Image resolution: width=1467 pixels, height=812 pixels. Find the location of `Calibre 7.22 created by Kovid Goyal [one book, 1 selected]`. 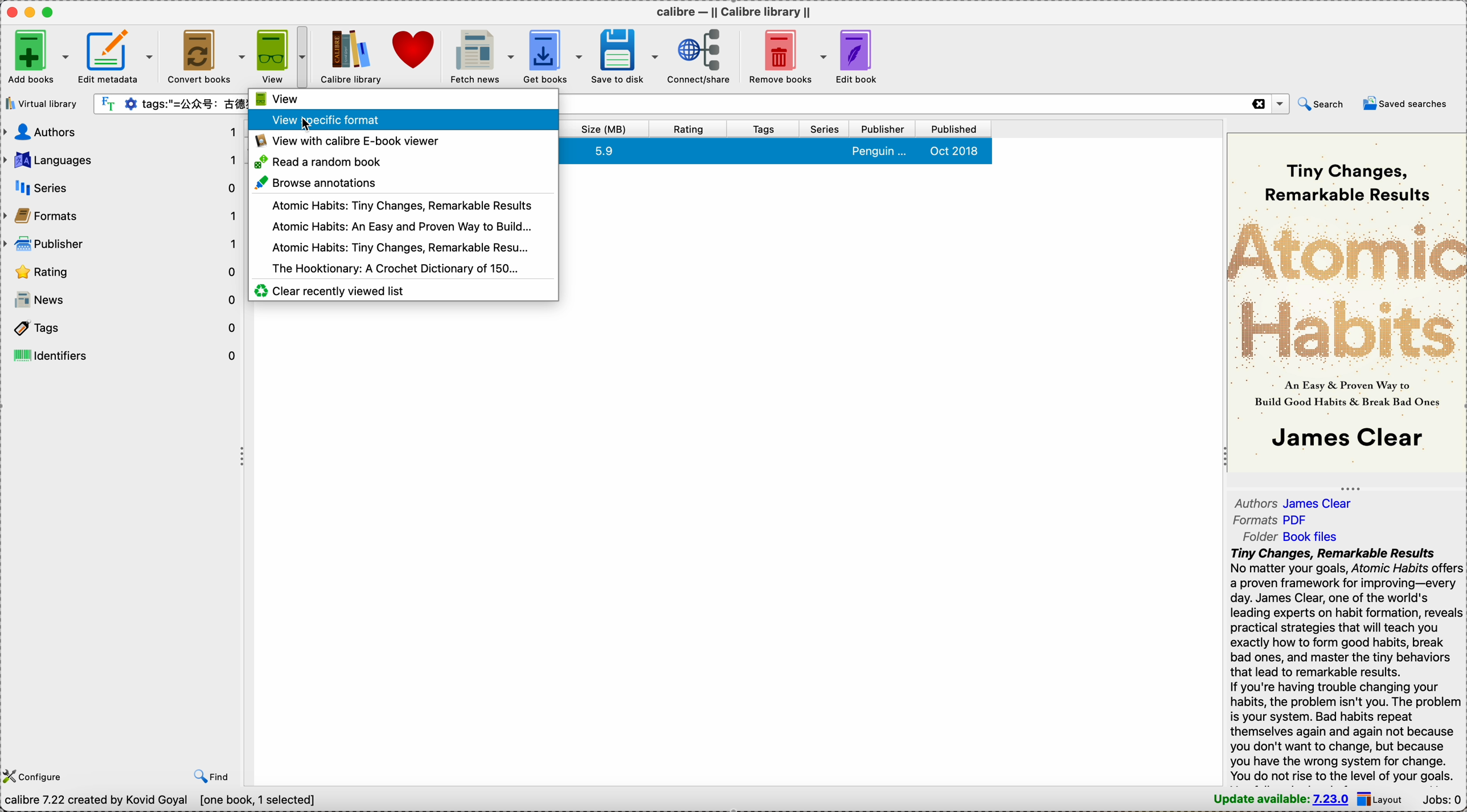

Calibre 7.22 created by Kovid Goyal [one book, 1 selected] is located at coordinates (161, 801).